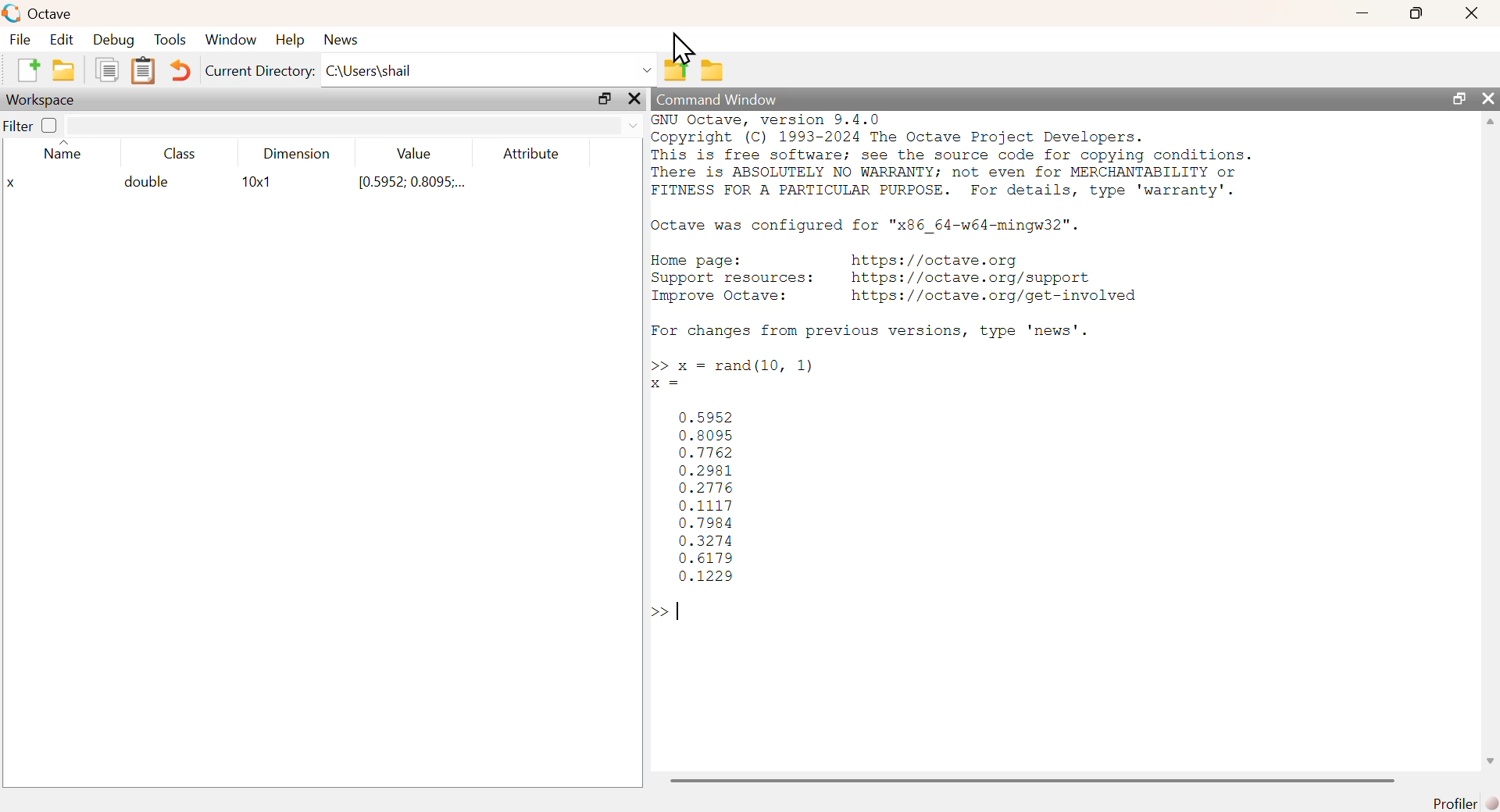 This screenshot has width=1500, height=812. What do you see at coordinates (105, 69) in the screenshot?
I see `copy` at bounding box center [105, 69].